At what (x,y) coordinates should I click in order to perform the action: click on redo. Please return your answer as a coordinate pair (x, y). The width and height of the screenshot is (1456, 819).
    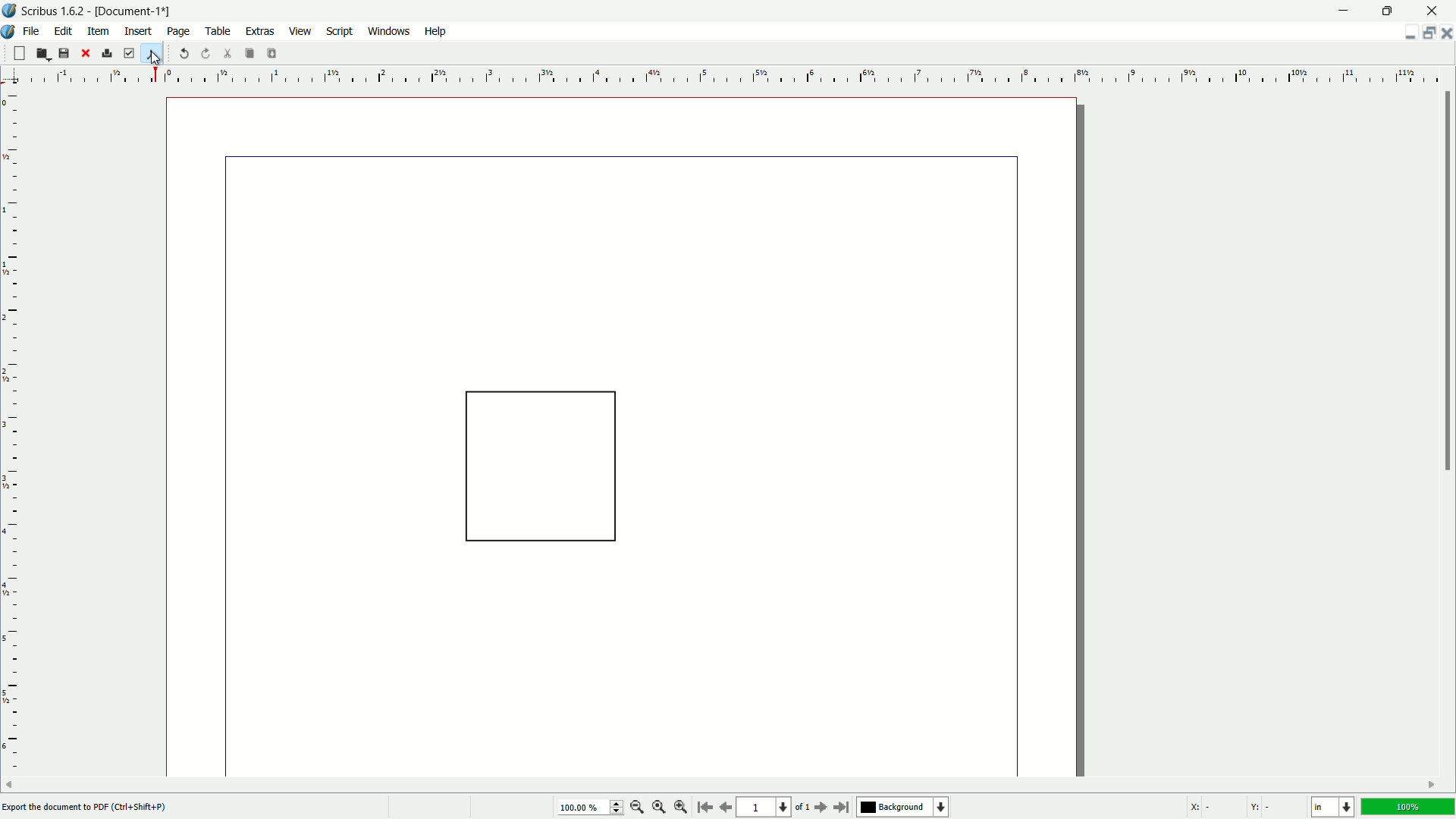
    Looking at the image, I should click on (204, 53).